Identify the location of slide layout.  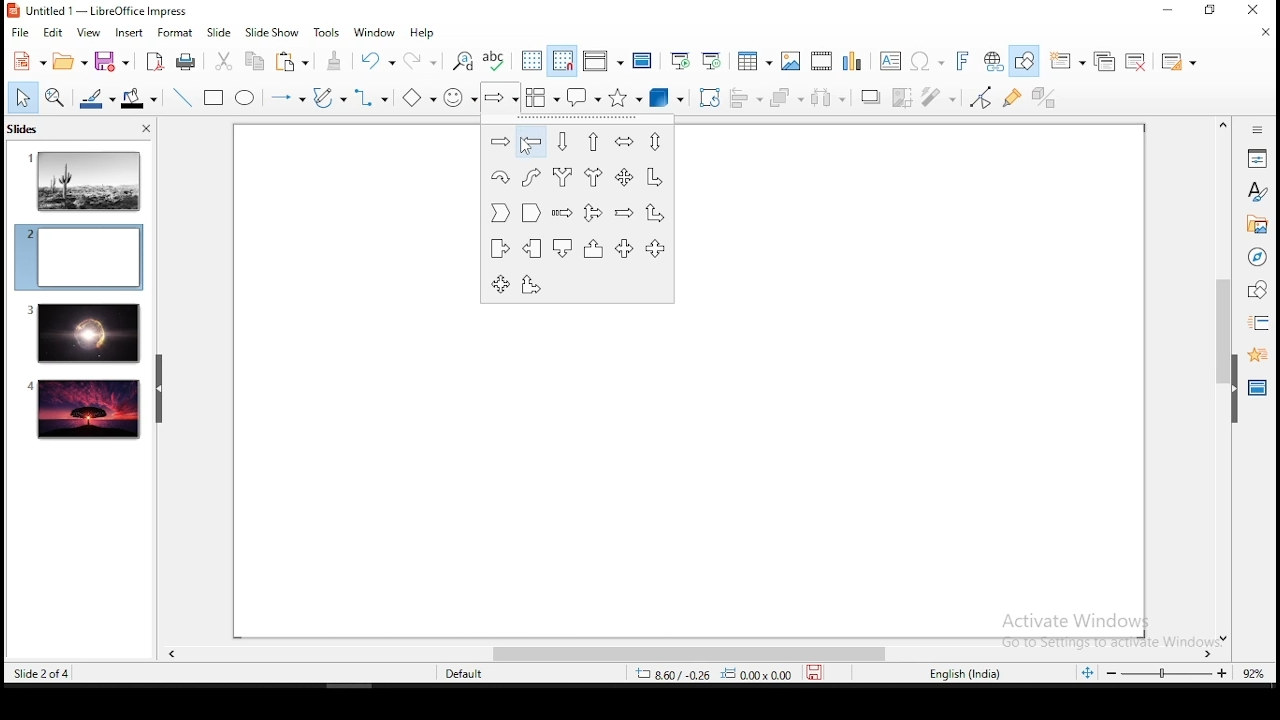
(1176, 62).